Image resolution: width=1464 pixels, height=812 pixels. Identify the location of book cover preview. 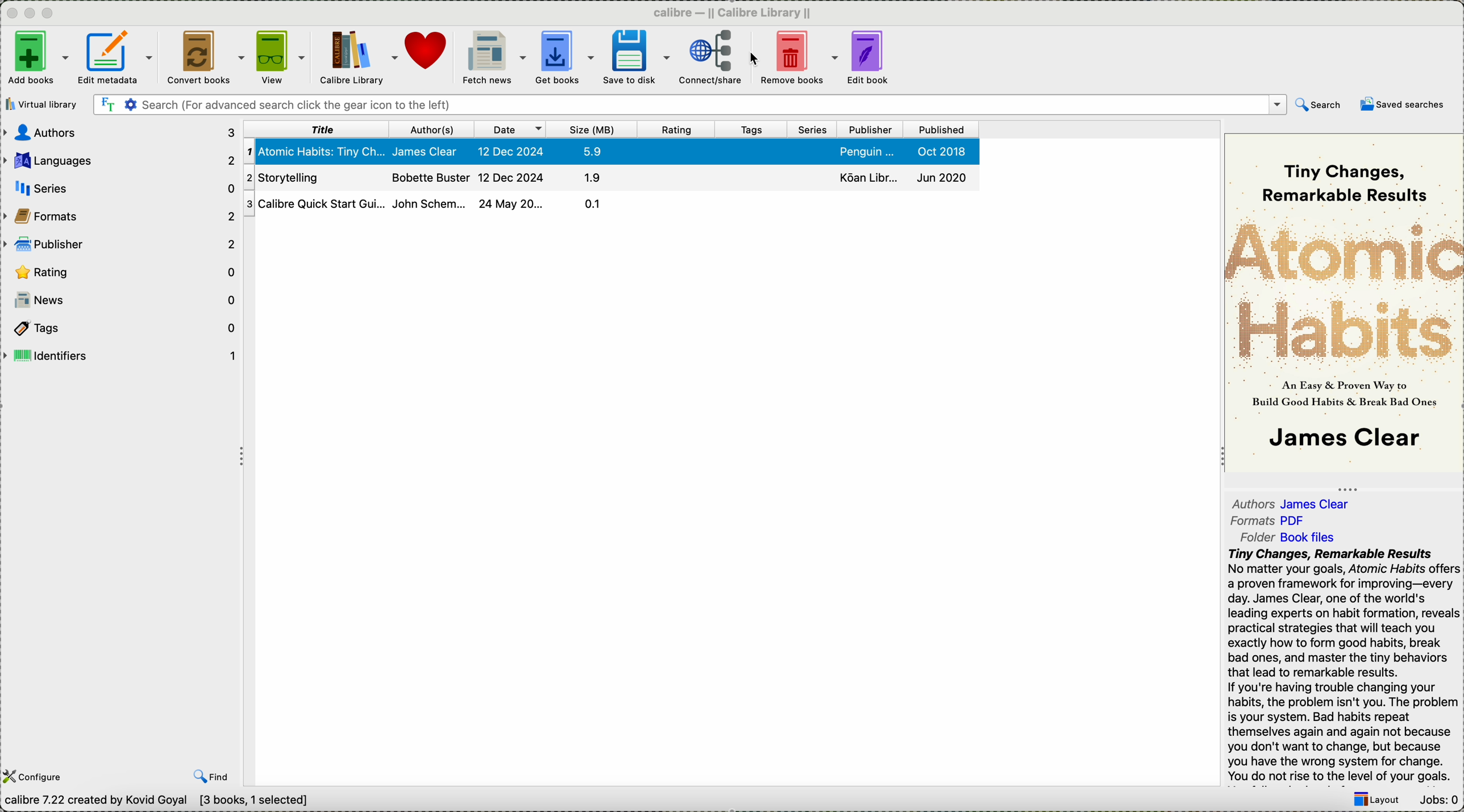
(1344, 302).